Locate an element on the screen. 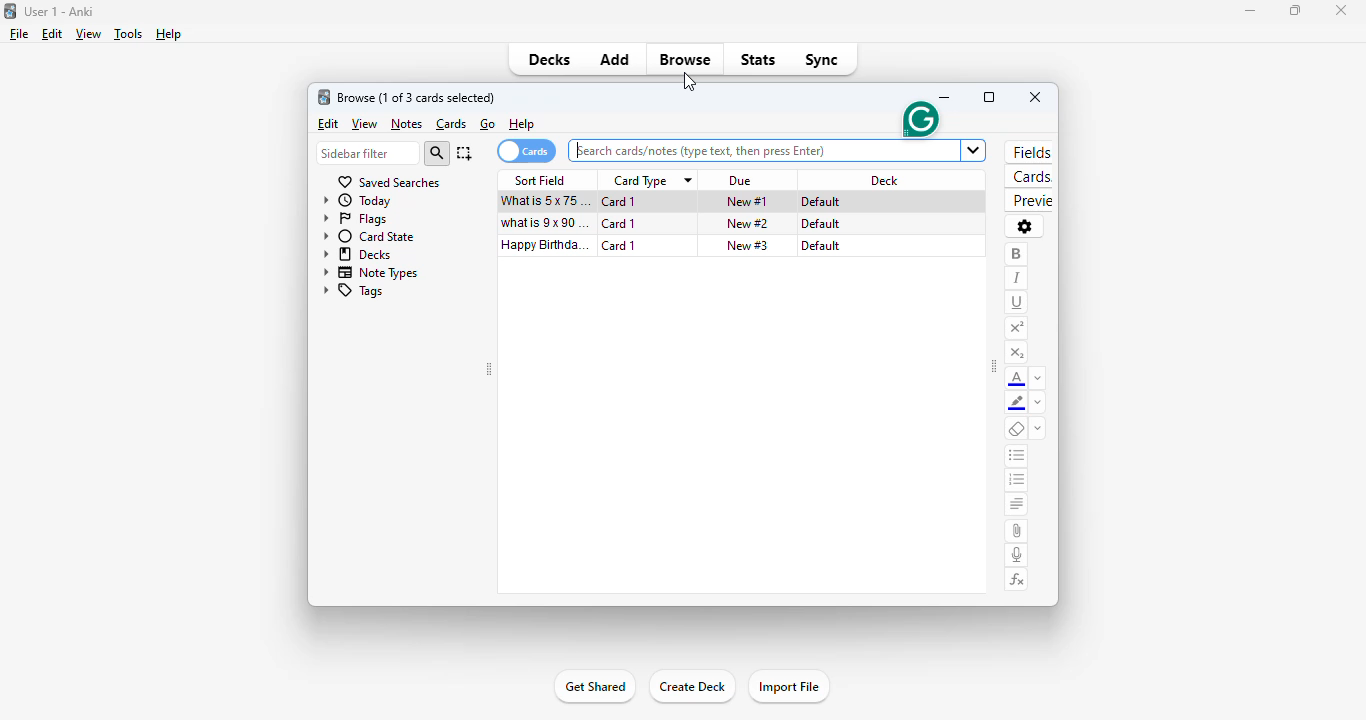 Image resolution: width=1366 pixels, height=720 pixels. close is located at coordinates (1035, 97).